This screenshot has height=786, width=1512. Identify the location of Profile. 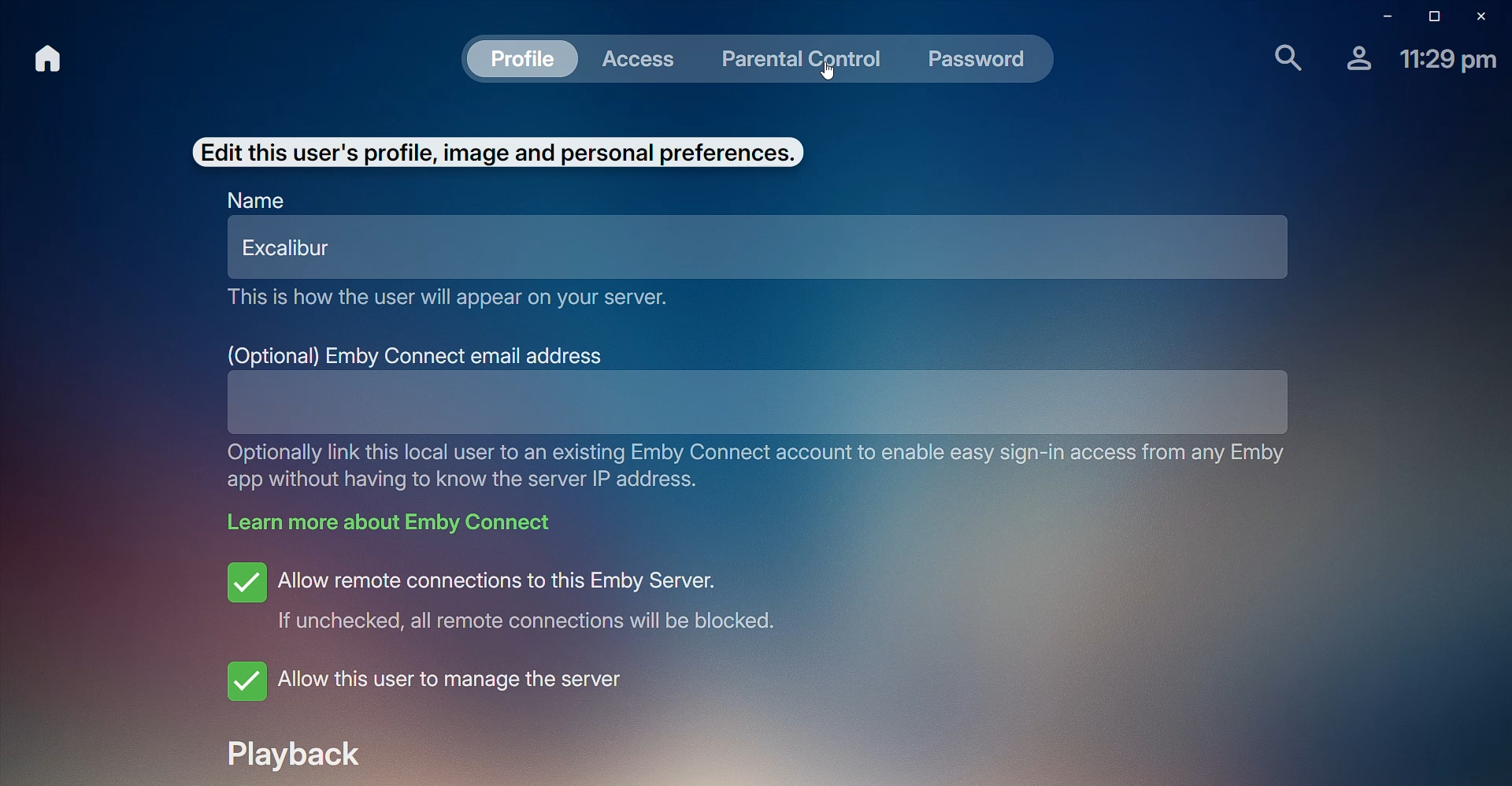
(1354, 64).